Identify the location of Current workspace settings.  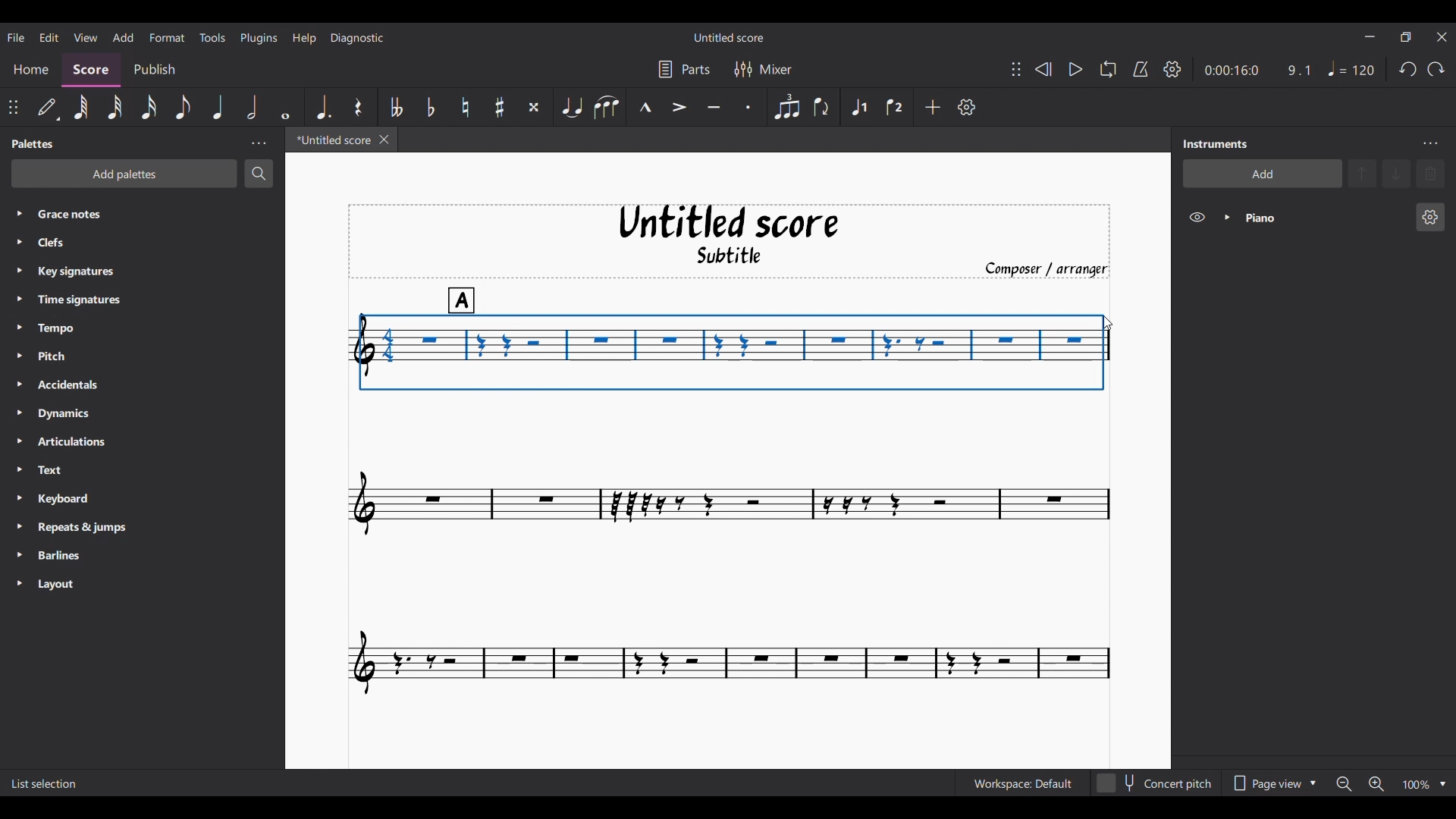
(1022, 783).